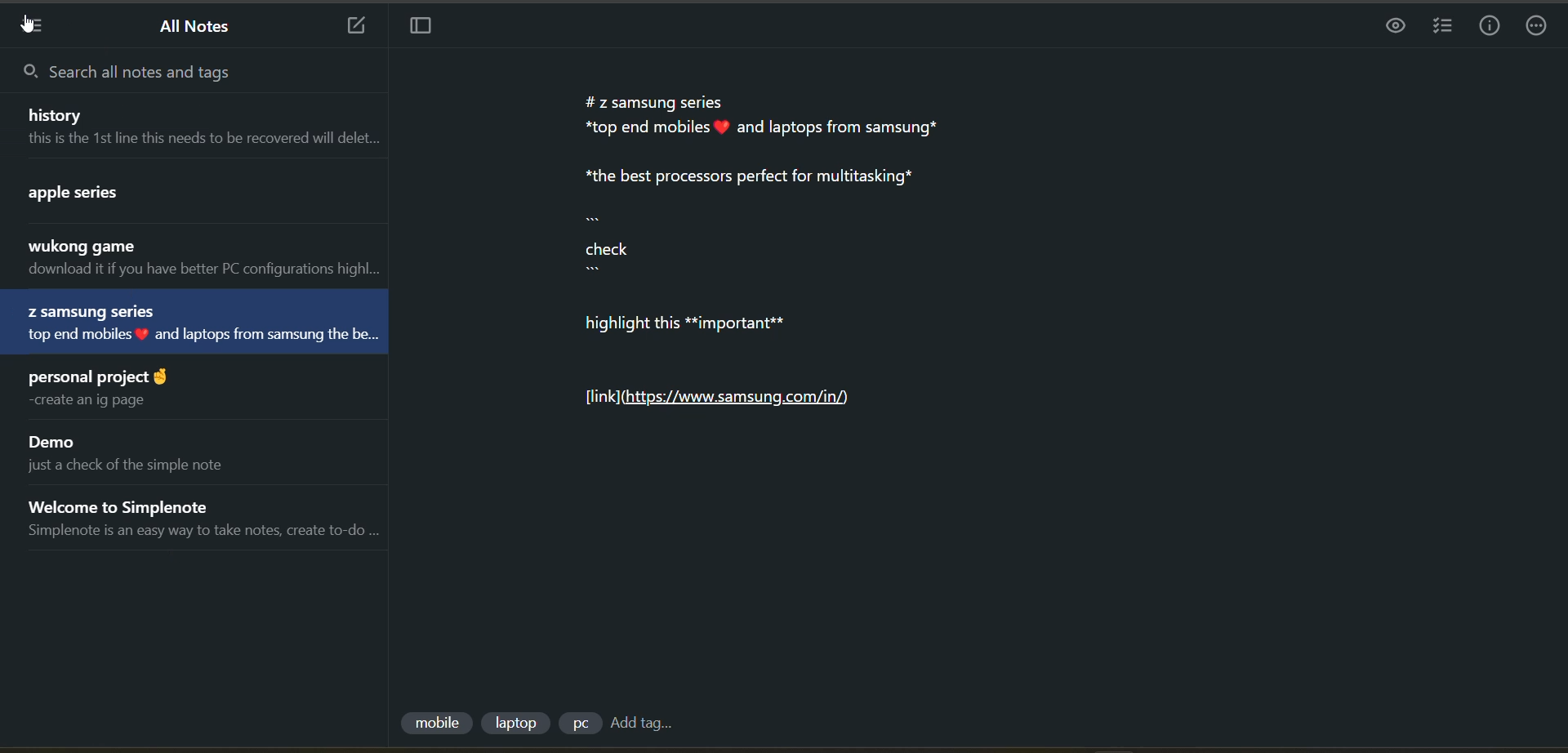 This screenshot has width=1568, height=753. I want to click on add tag, so click(647, 724).